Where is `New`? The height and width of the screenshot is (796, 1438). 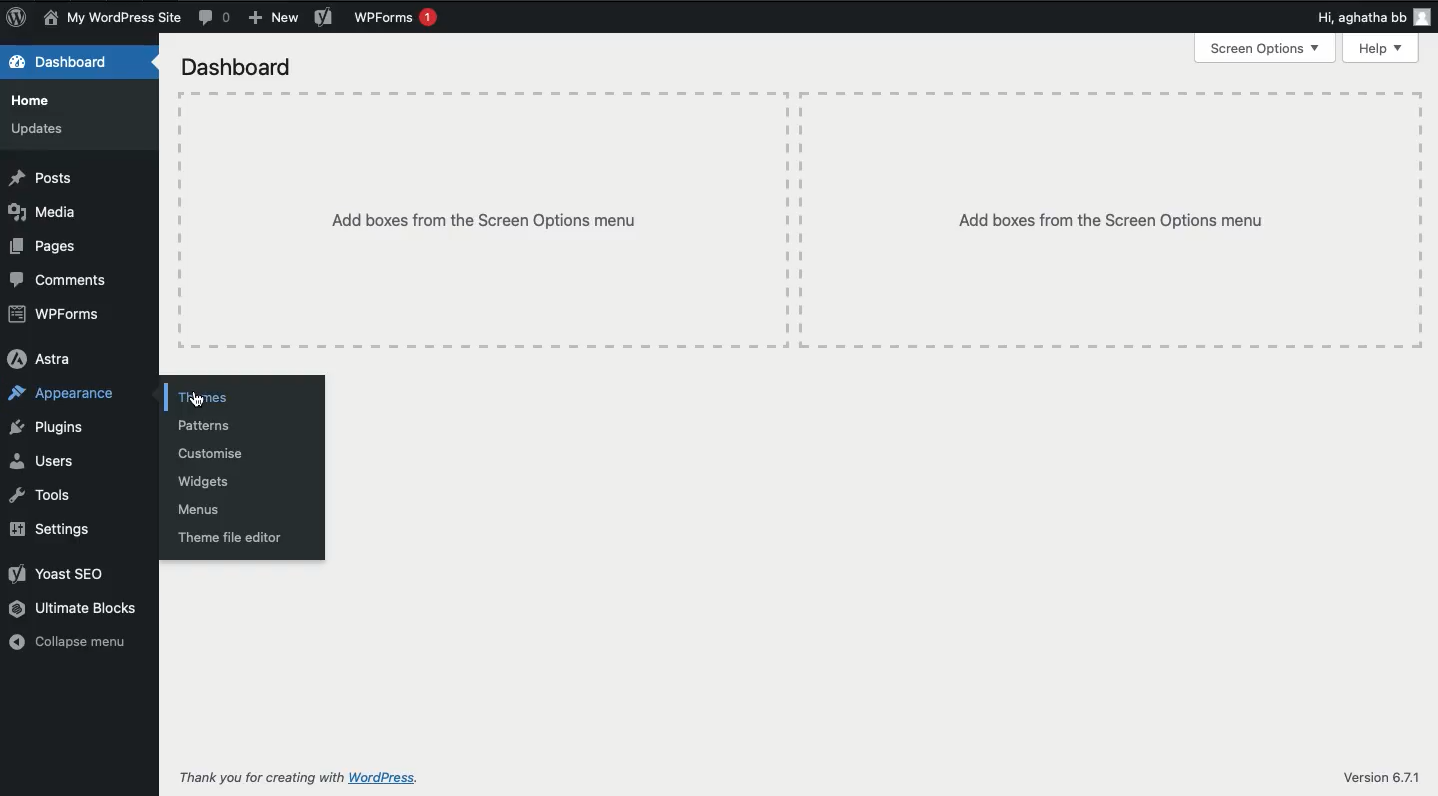
New is located at coordinates (275, 17).